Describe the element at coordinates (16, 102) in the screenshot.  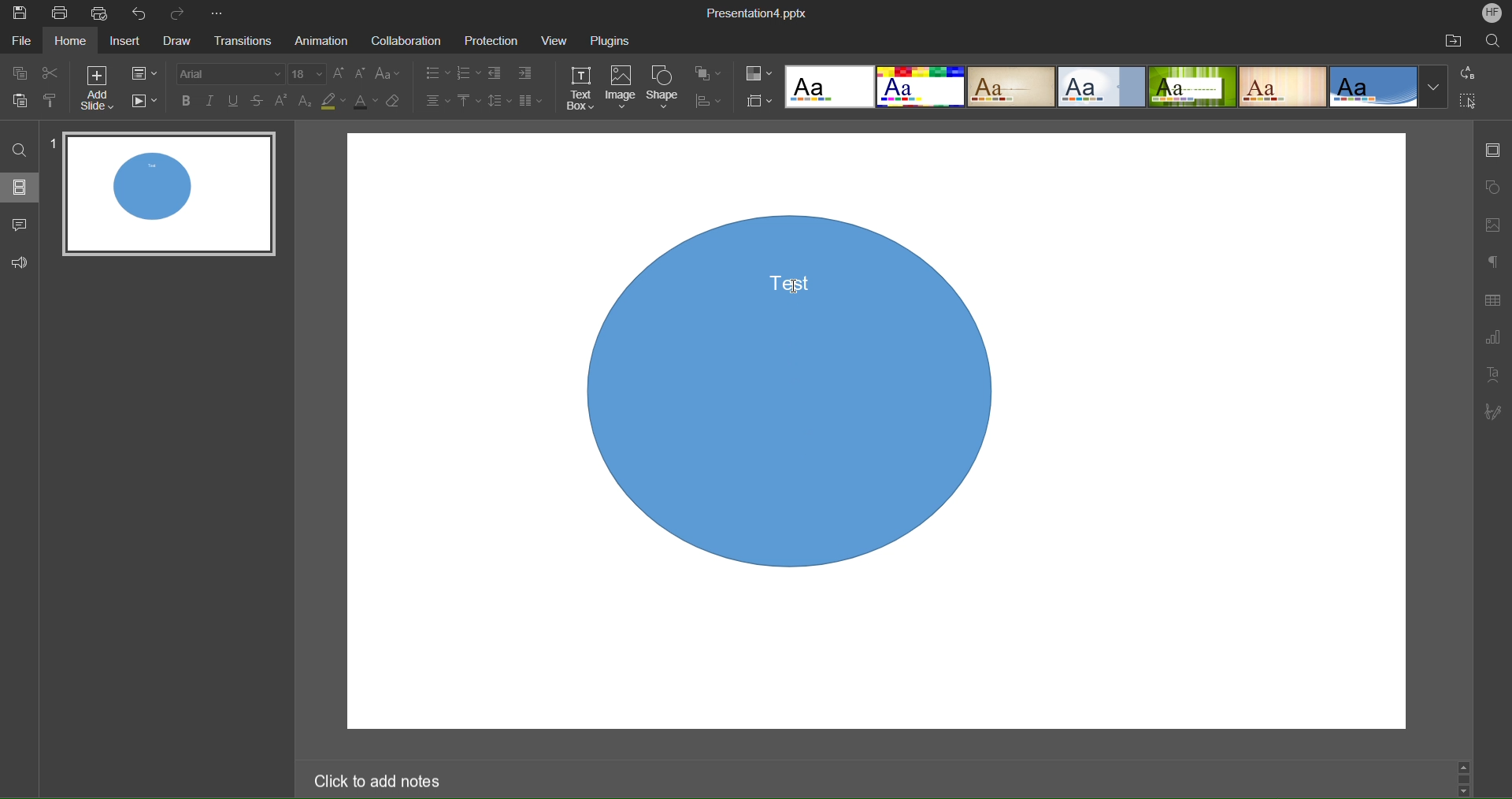
I see `Paste` at that location.